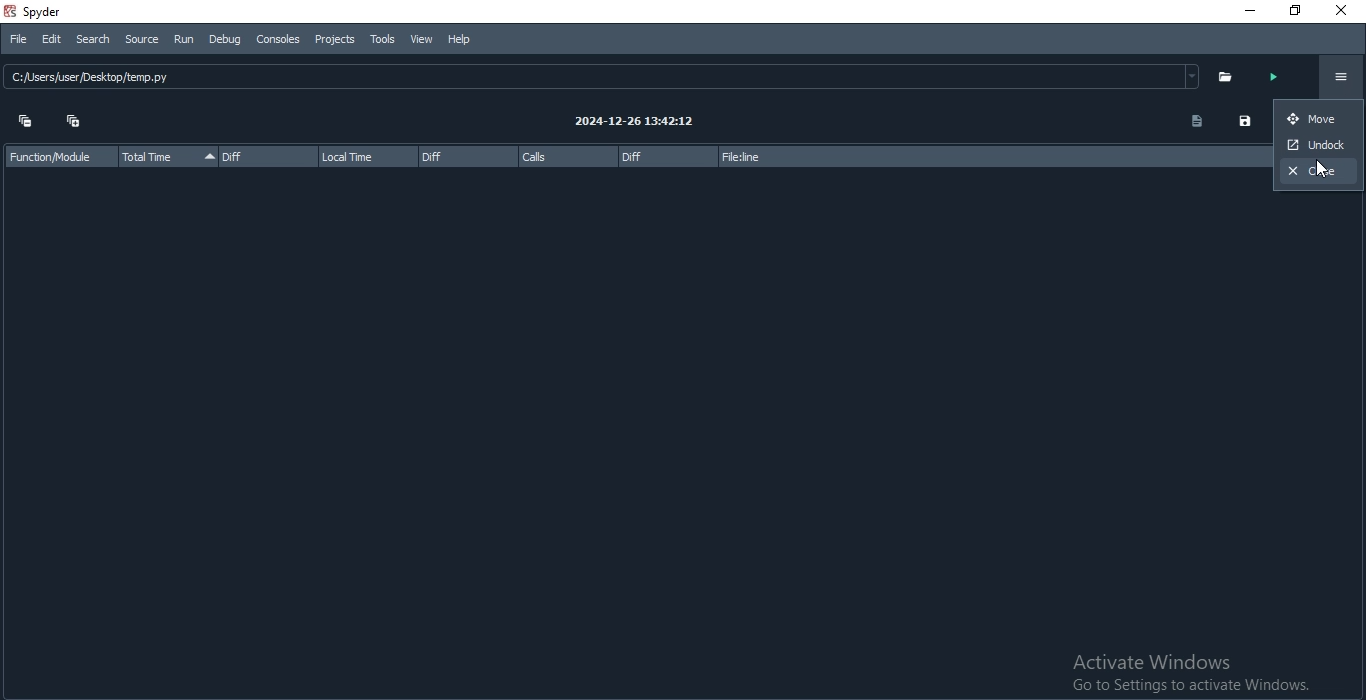 This screenshot has height=700, width=1366. What do you see at coordinates (766, 158) in the screenshot?
I see `file:line` at bounding box center [766, 158].